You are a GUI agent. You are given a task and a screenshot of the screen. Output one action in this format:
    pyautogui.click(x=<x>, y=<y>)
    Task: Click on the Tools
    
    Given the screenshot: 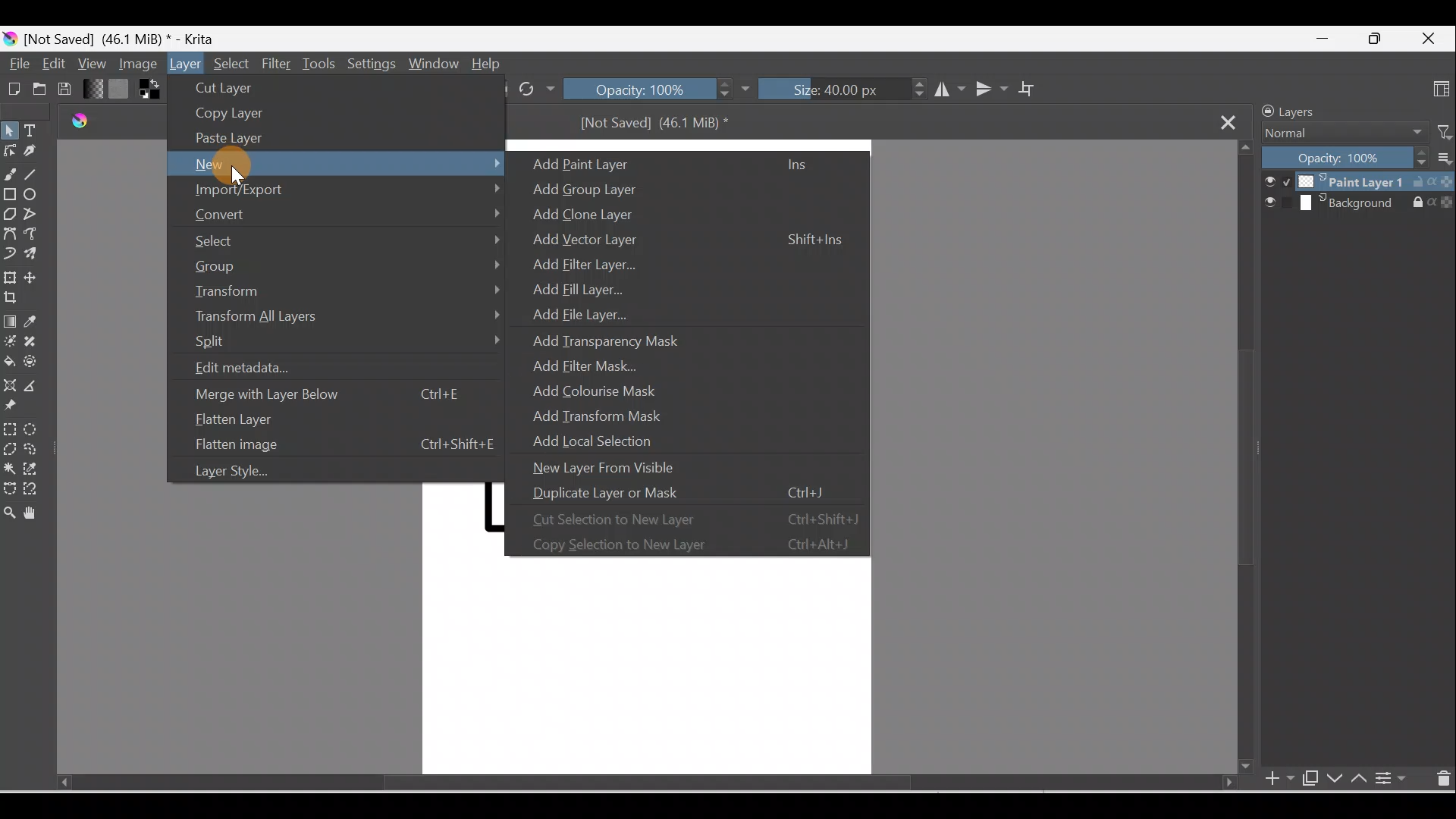 What is the action you would take?
    pyautogui.click(x=322, y=62)
    